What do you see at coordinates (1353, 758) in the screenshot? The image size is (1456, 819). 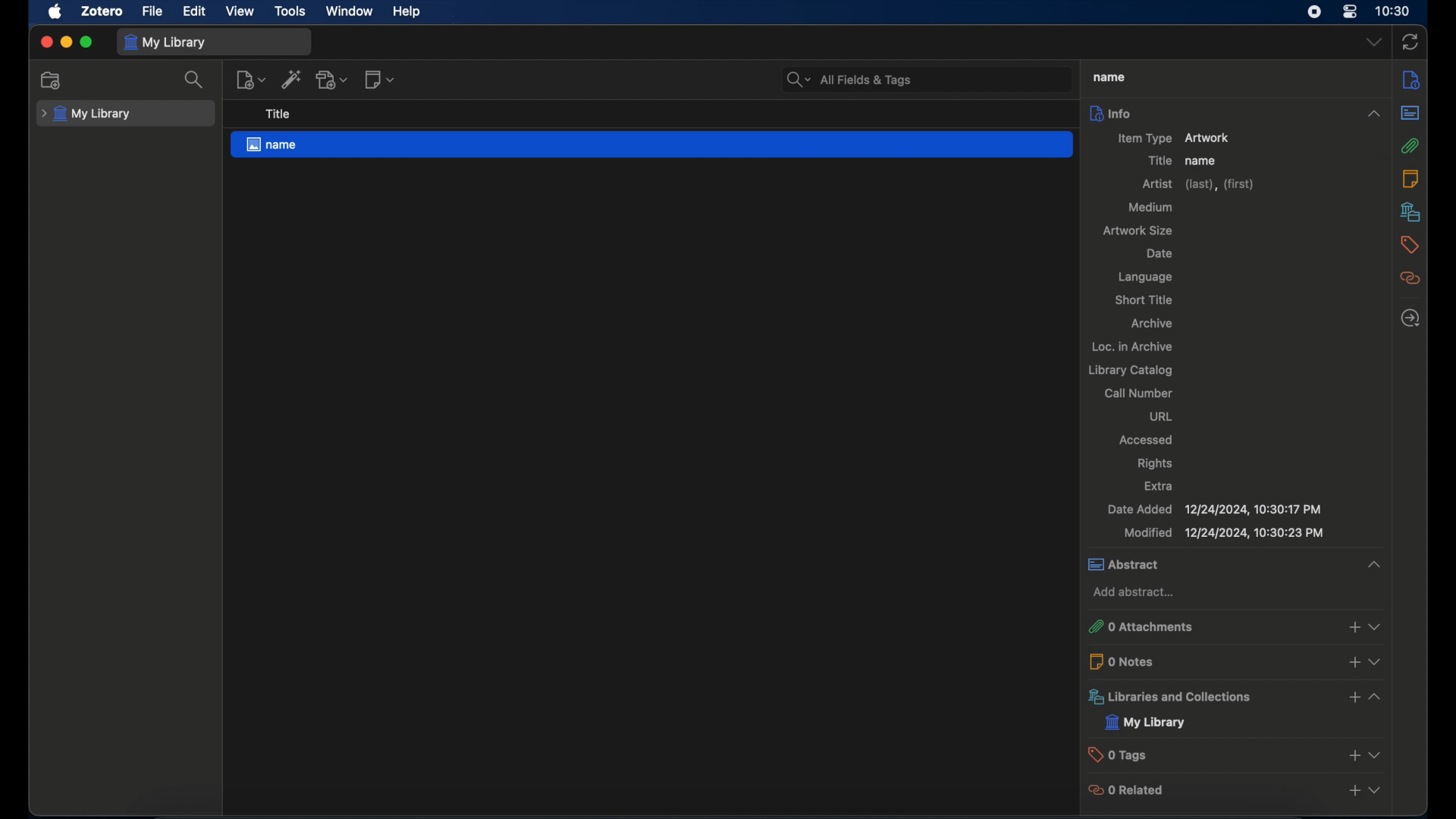 I see `add` at bounding box center [1353, 758].